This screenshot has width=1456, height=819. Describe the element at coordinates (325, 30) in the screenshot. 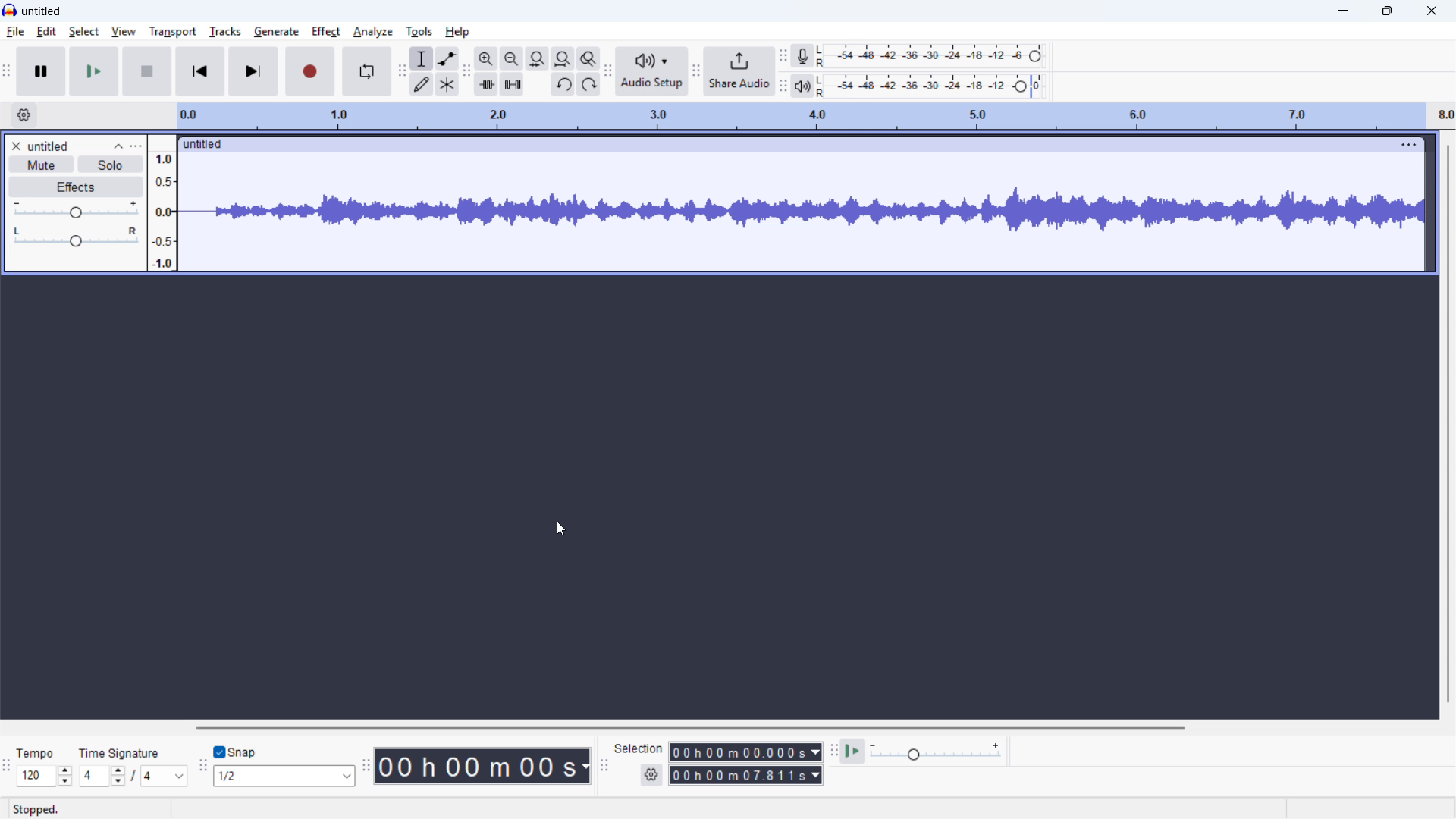

I see `effect` at that location.